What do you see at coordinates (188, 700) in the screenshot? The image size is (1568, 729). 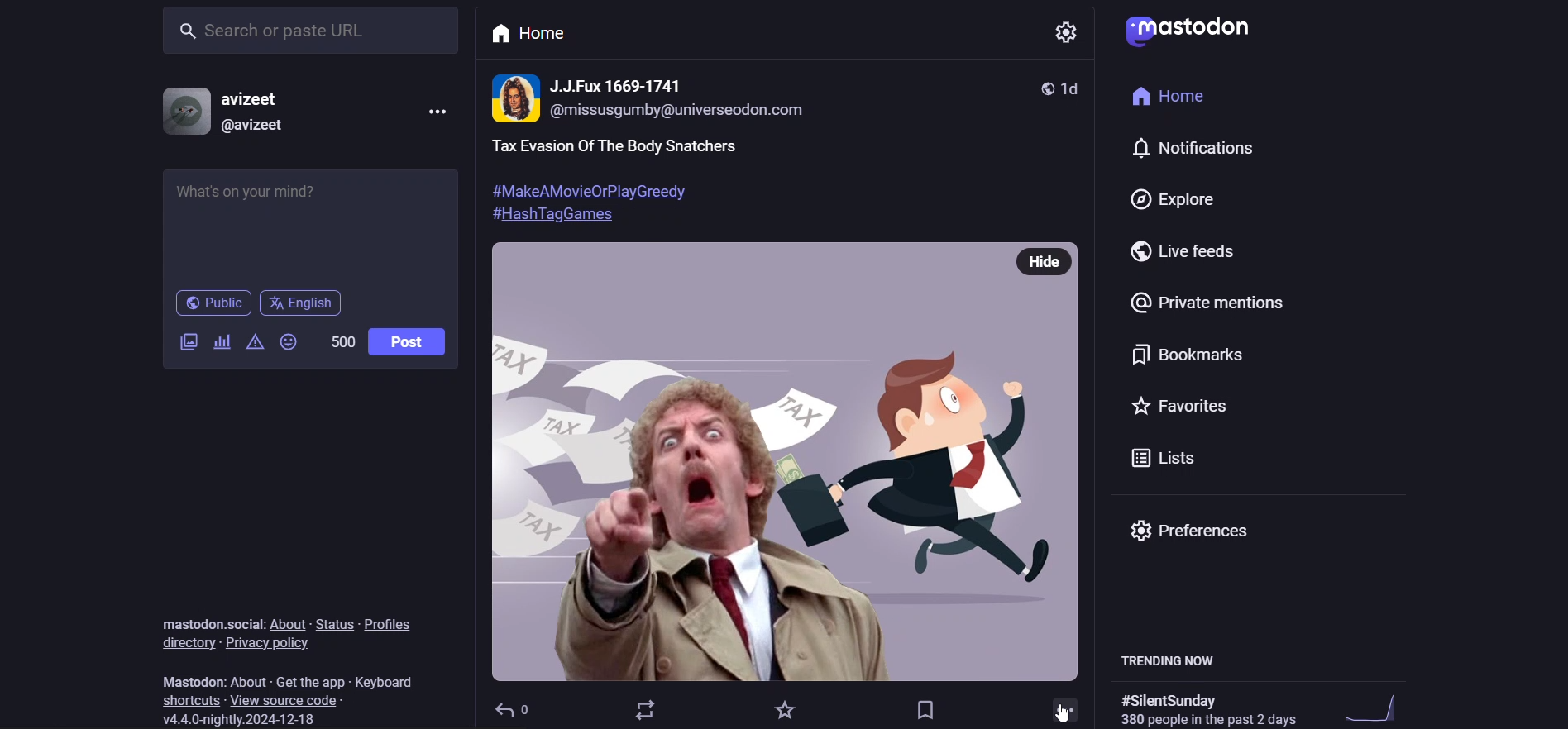 I see `shortcut` at bounding box center [188, 700].